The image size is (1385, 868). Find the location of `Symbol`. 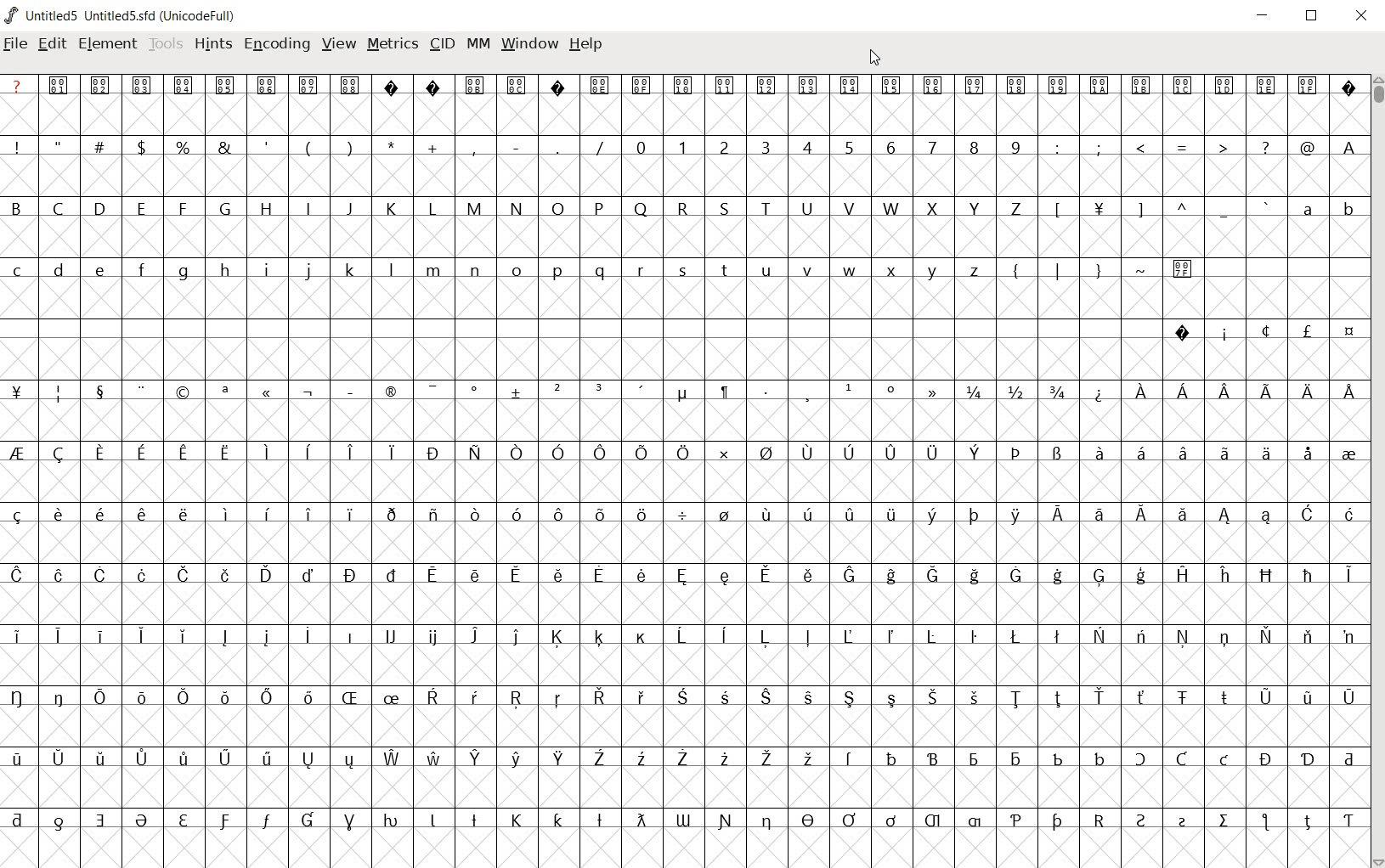

Symbol is located at coordinates (933, 516).